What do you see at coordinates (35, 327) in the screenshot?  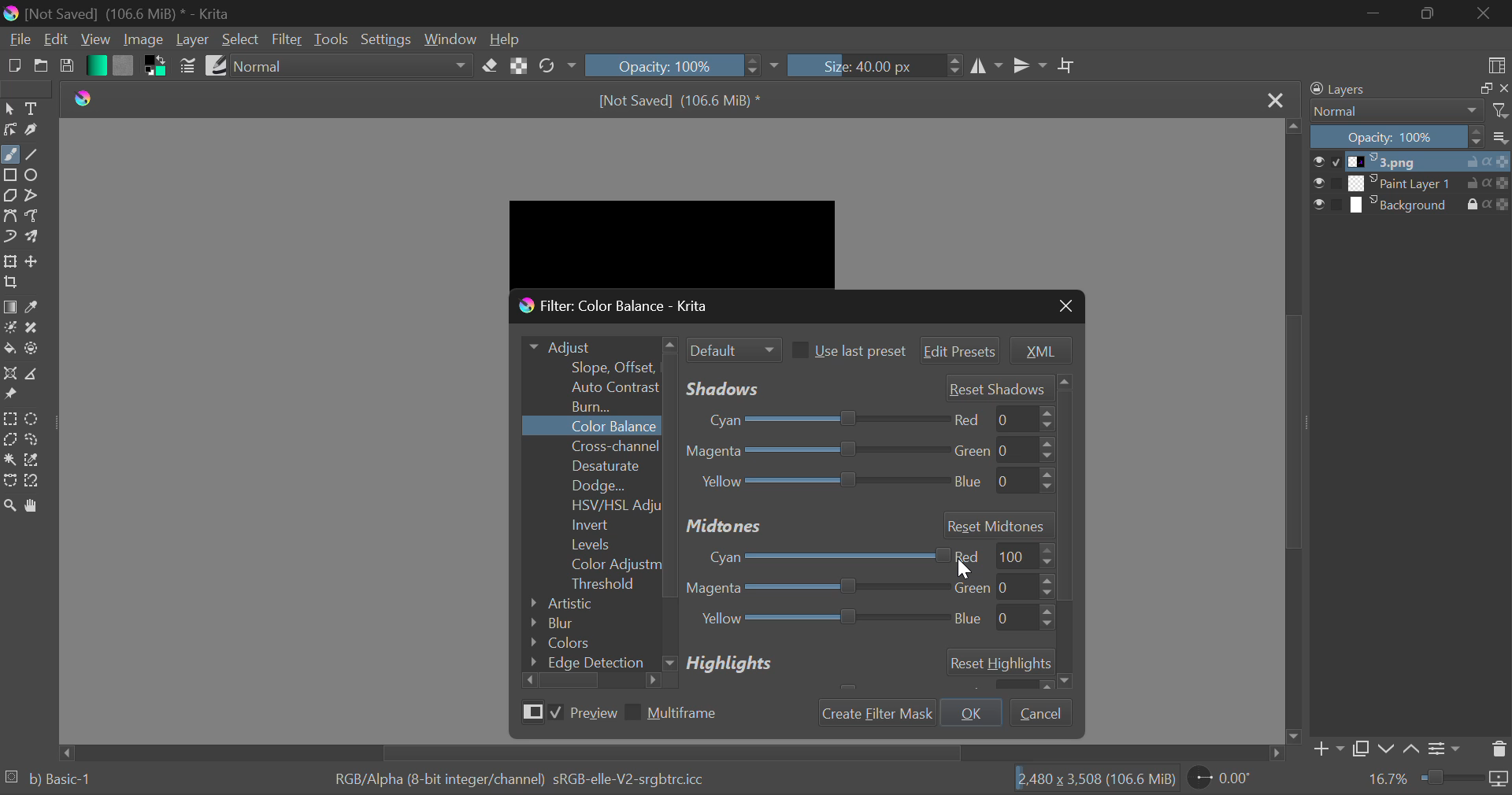 I see `Smart Patch Tool` at bounding box center [35, 327].